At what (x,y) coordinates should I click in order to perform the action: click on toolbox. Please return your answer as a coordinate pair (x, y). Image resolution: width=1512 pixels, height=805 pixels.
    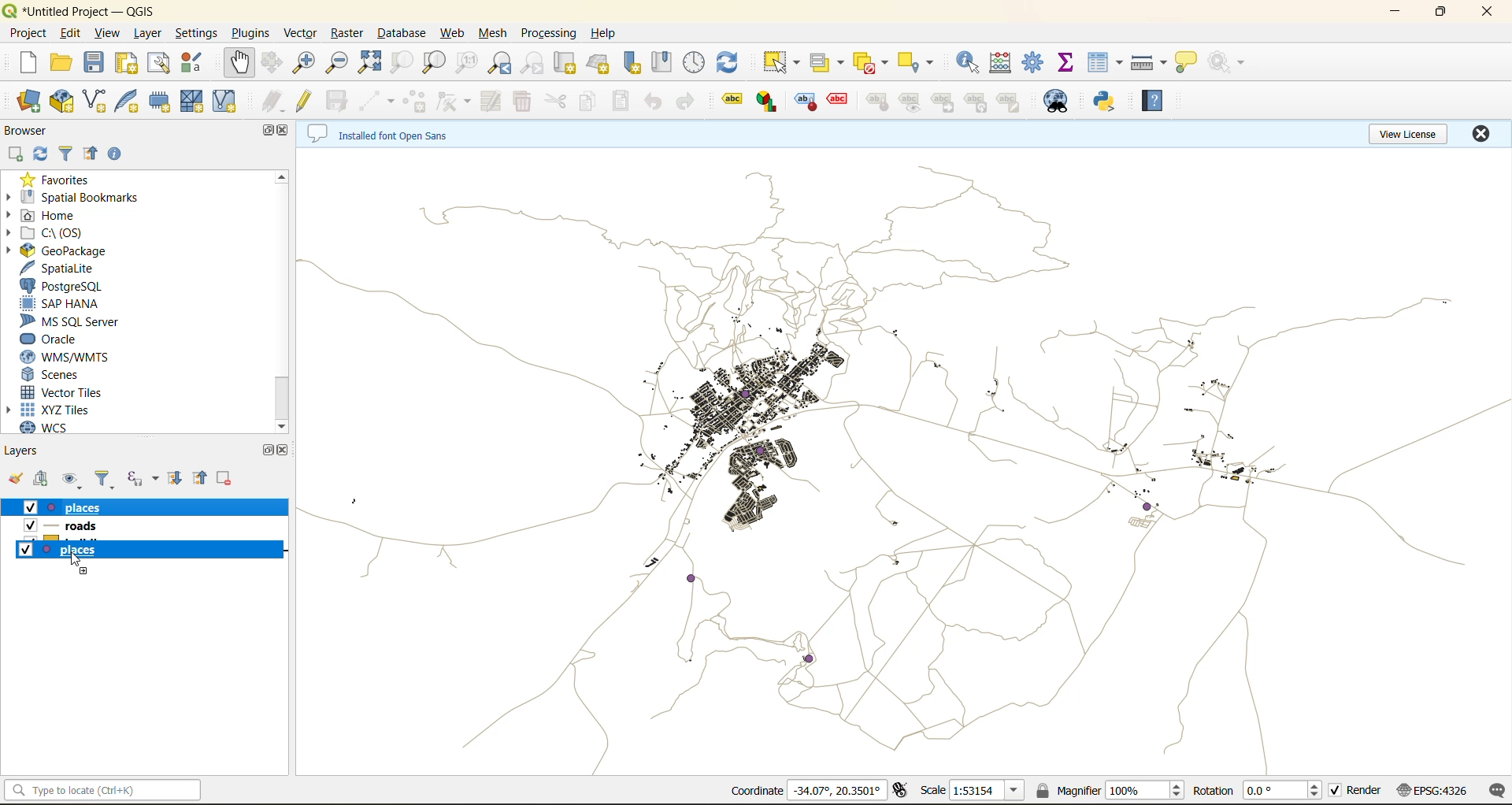
    Looking at the image, I should click on (1036, 64).